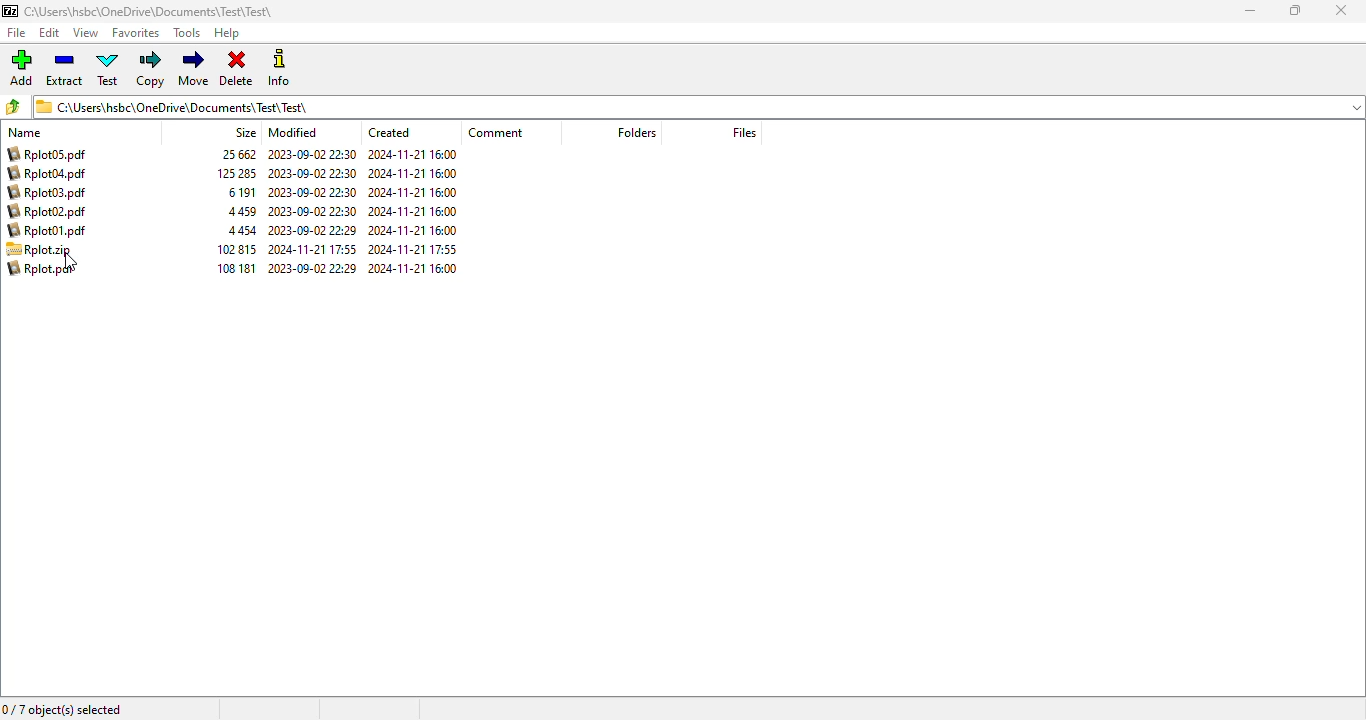 The image size is (1366, 720). What do you see at coordinates (314, 191) in the screenshot?
I see `2023-09-02 22:30` at bounding box center [314, 191].